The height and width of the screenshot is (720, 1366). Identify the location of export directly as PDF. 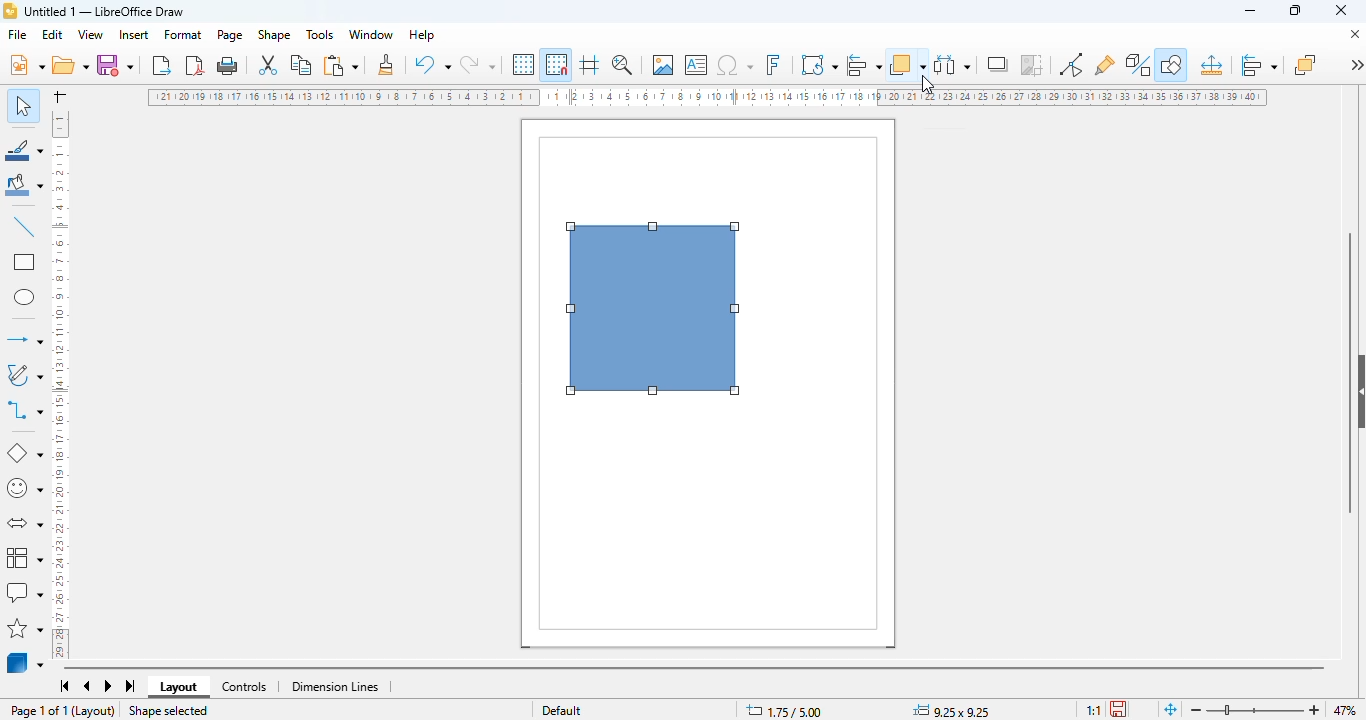
(196, 65).